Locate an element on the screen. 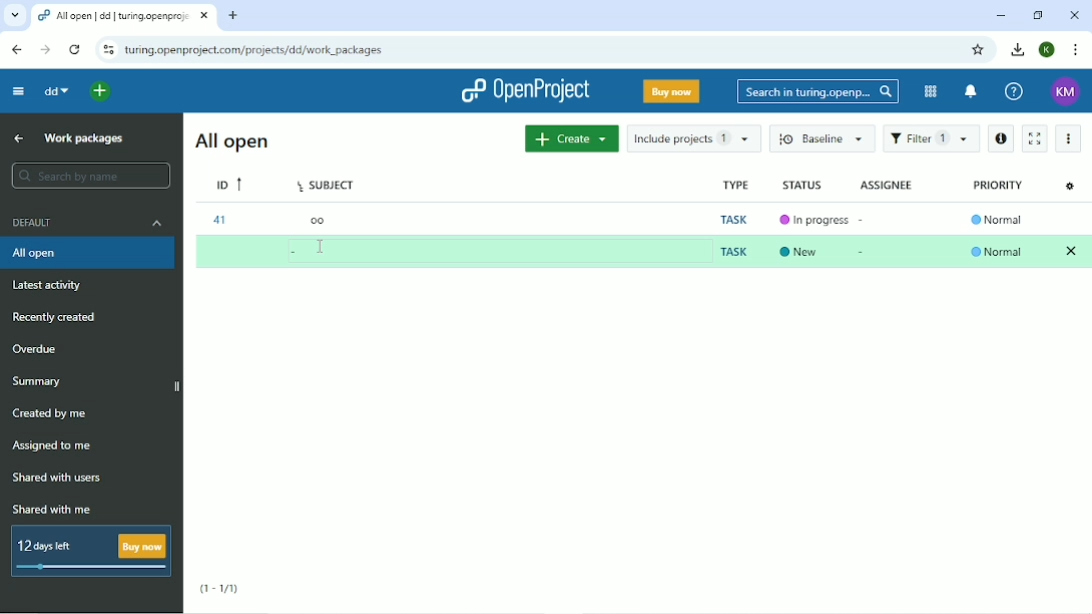  Forward is located at coordinates (46, 49).